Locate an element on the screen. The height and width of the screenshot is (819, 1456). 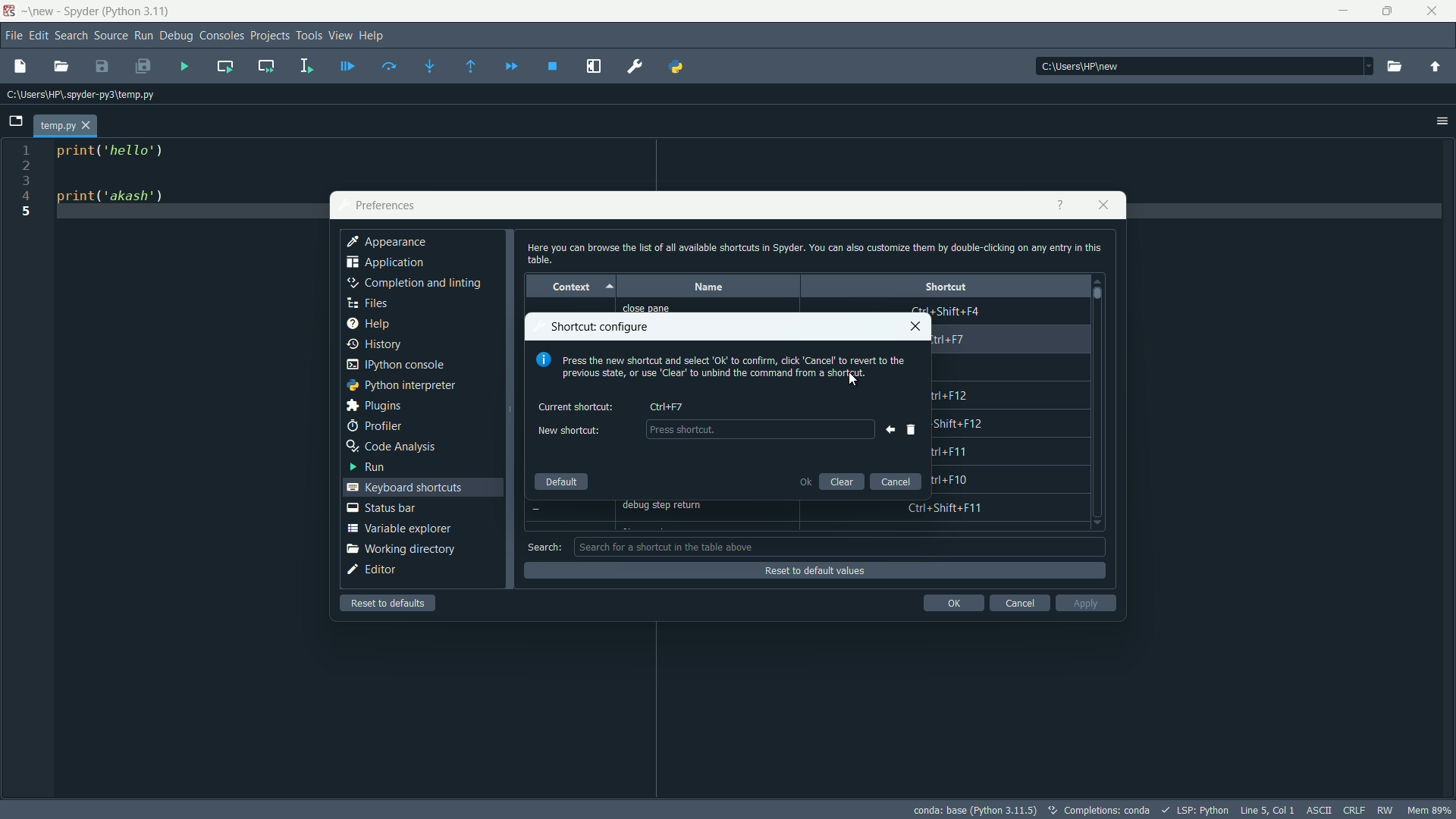
cursor is located at coordinates (850, 385).